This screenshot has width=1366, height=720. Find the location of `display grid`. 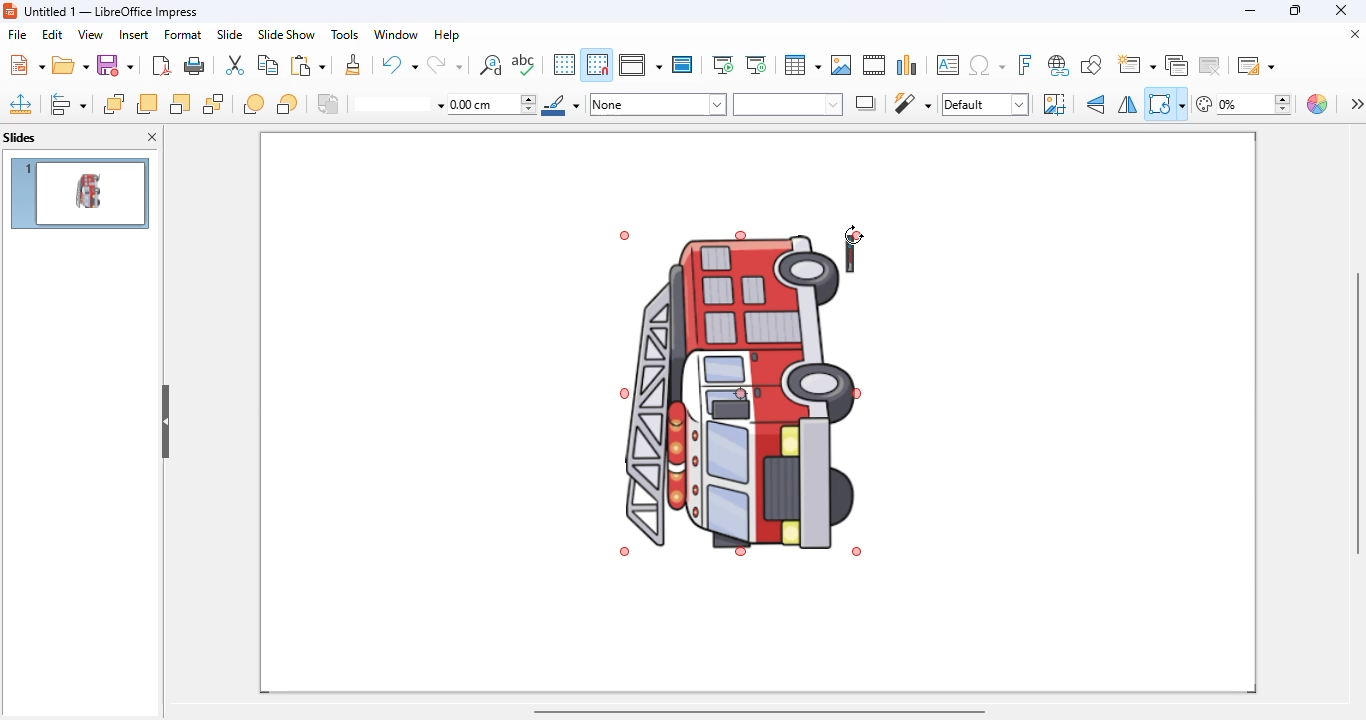

display grid is located at coordinates (564, 65).